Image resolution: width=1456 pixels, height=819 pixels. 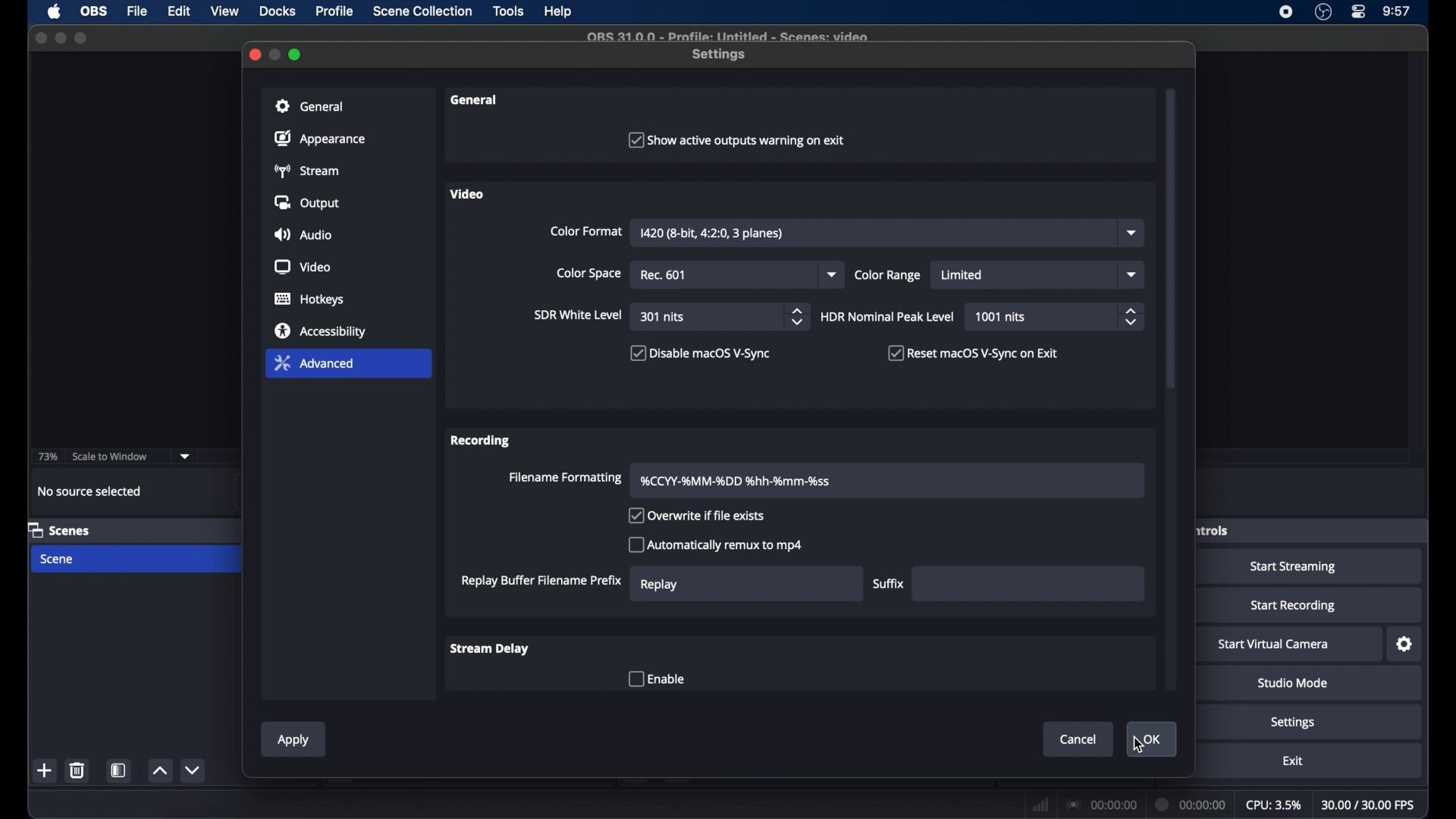 I want to click on rec 601, so click(x=665, y=275).